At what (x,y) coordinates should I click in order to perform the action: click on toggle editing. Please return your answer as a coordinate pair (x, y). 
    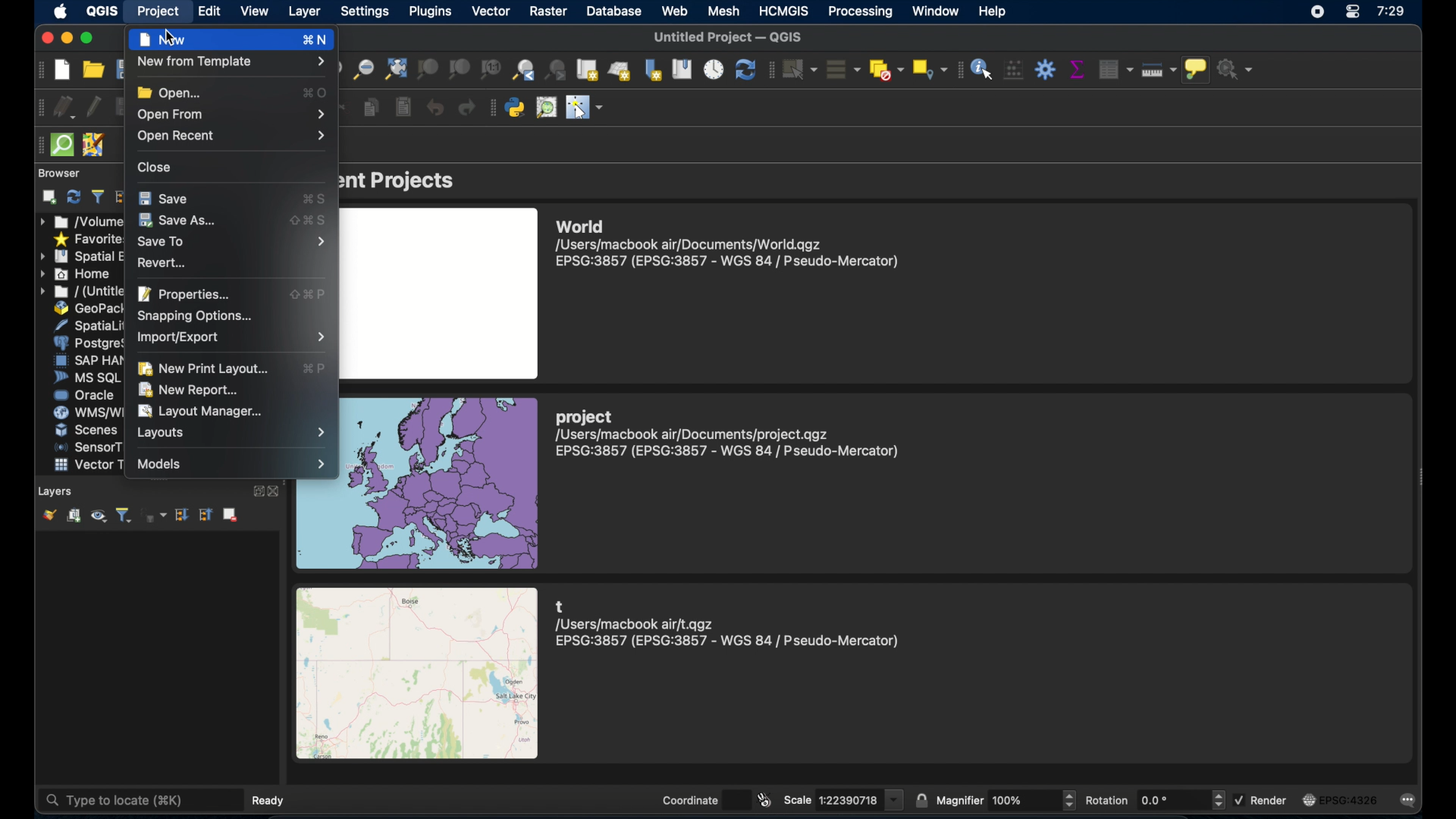
    Looking at the image, I should click on (95, 105).